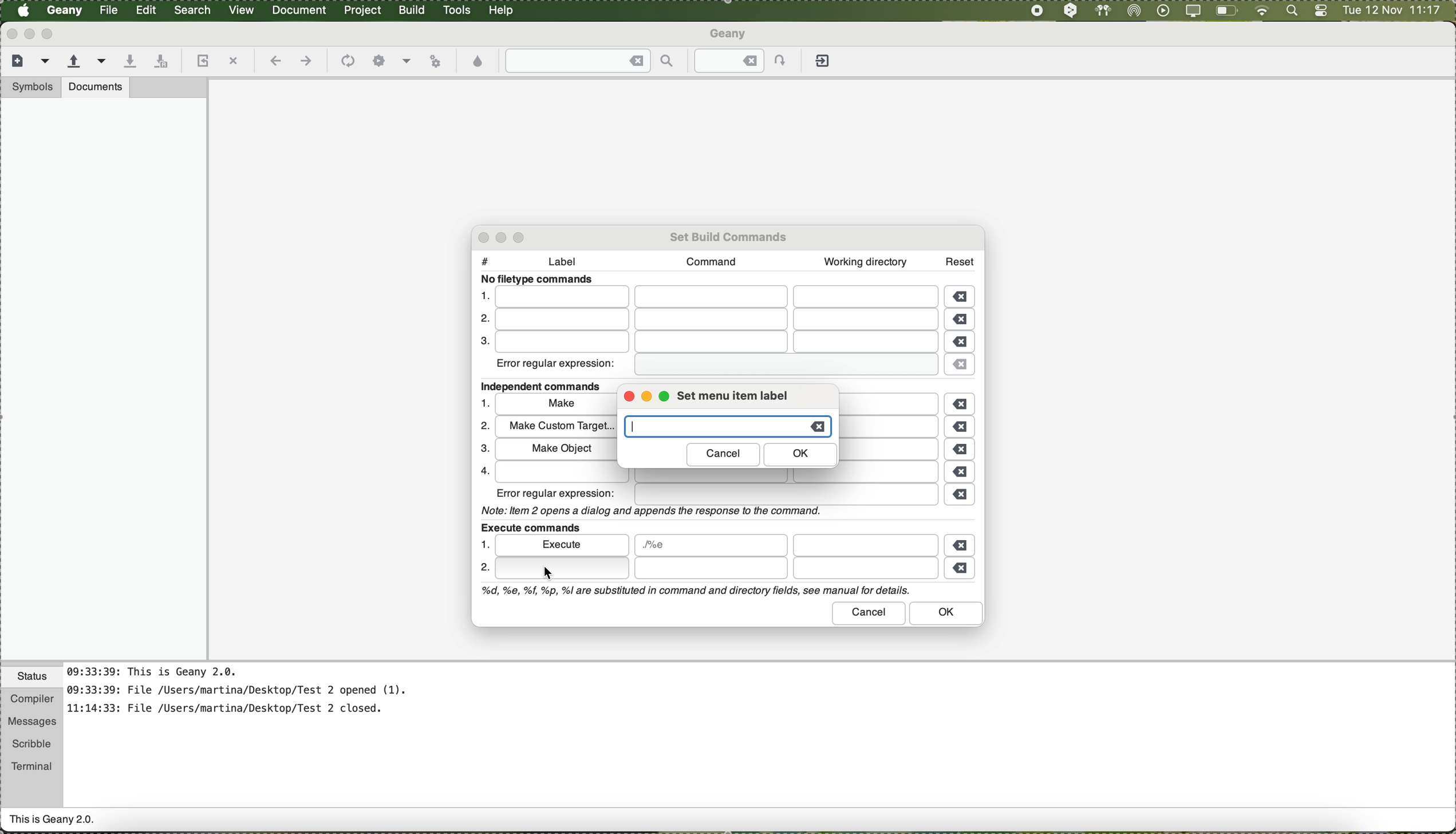 This screenshot has height=834, width=1456. Describe the element at coordinates (747, 61) in the screenshot. I see `jump to the entered line number` at that location.